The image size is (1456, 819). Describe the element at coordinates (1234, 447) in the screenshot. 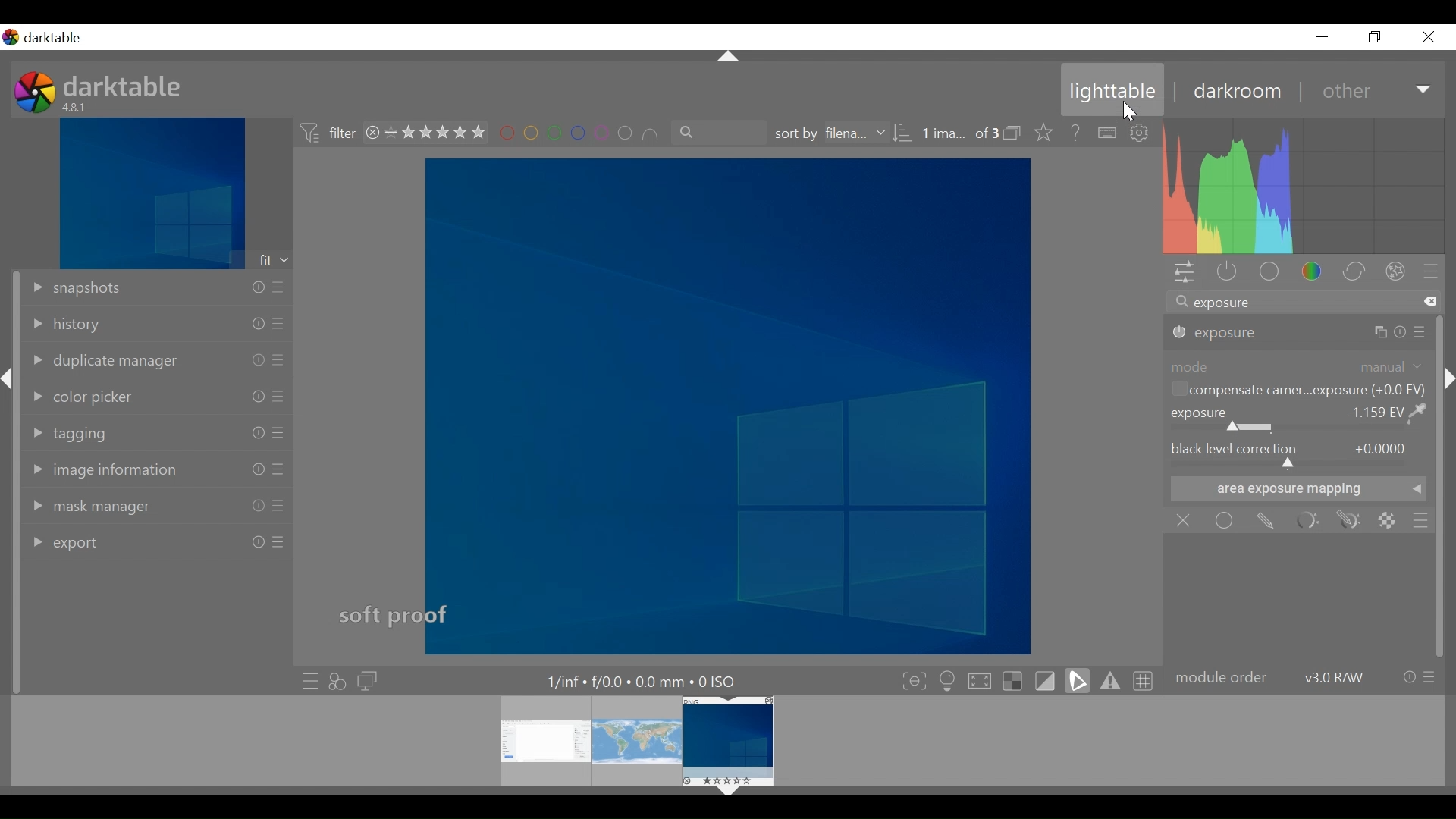

I see `black level correction` at that location.